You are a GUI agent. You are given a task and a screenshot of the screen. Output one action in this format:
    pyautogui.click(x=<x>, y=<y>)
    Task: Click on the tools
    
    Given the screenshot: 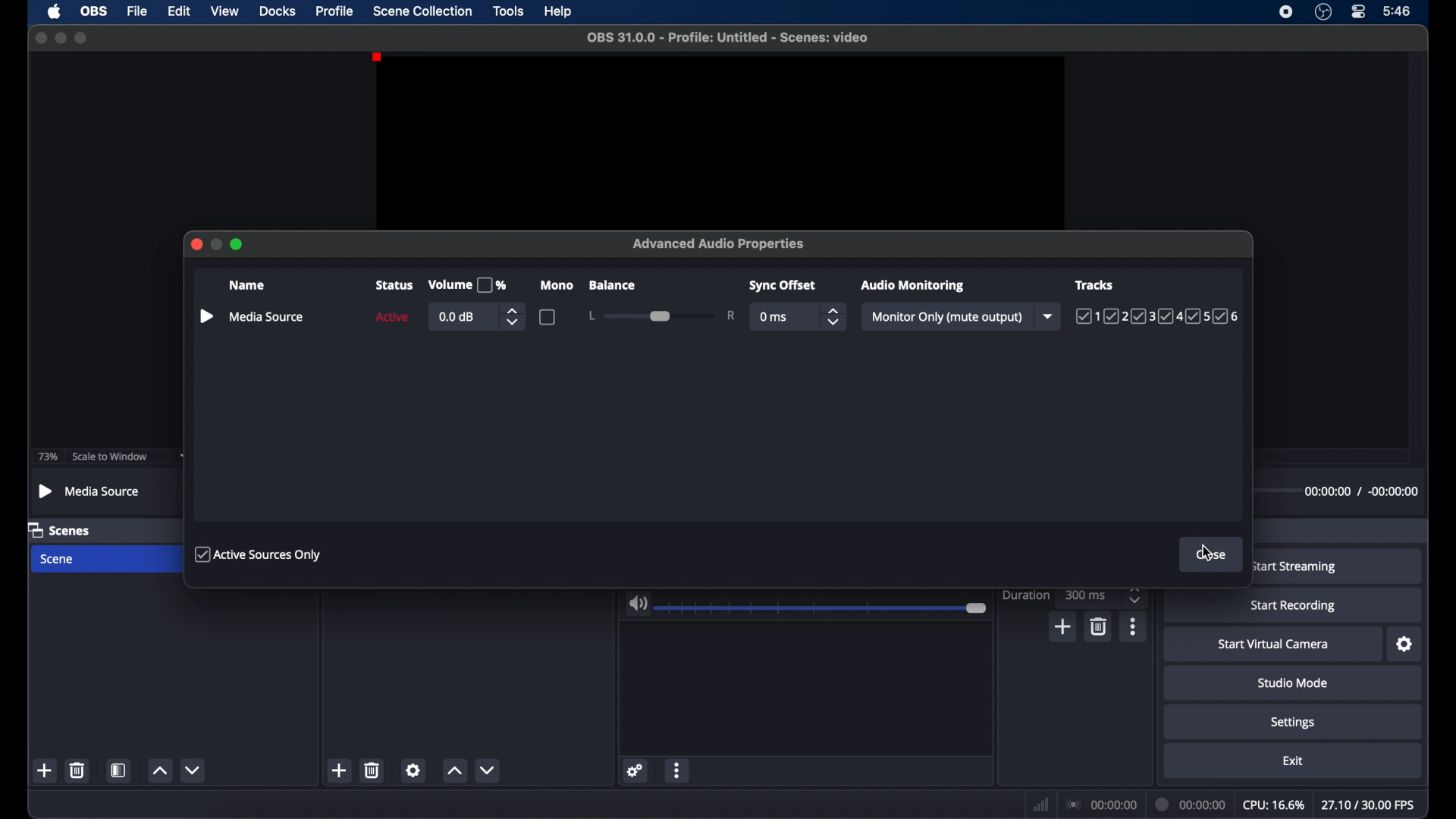 What is the action you would take?
    pyautogui.click(x=509, y=10)
    